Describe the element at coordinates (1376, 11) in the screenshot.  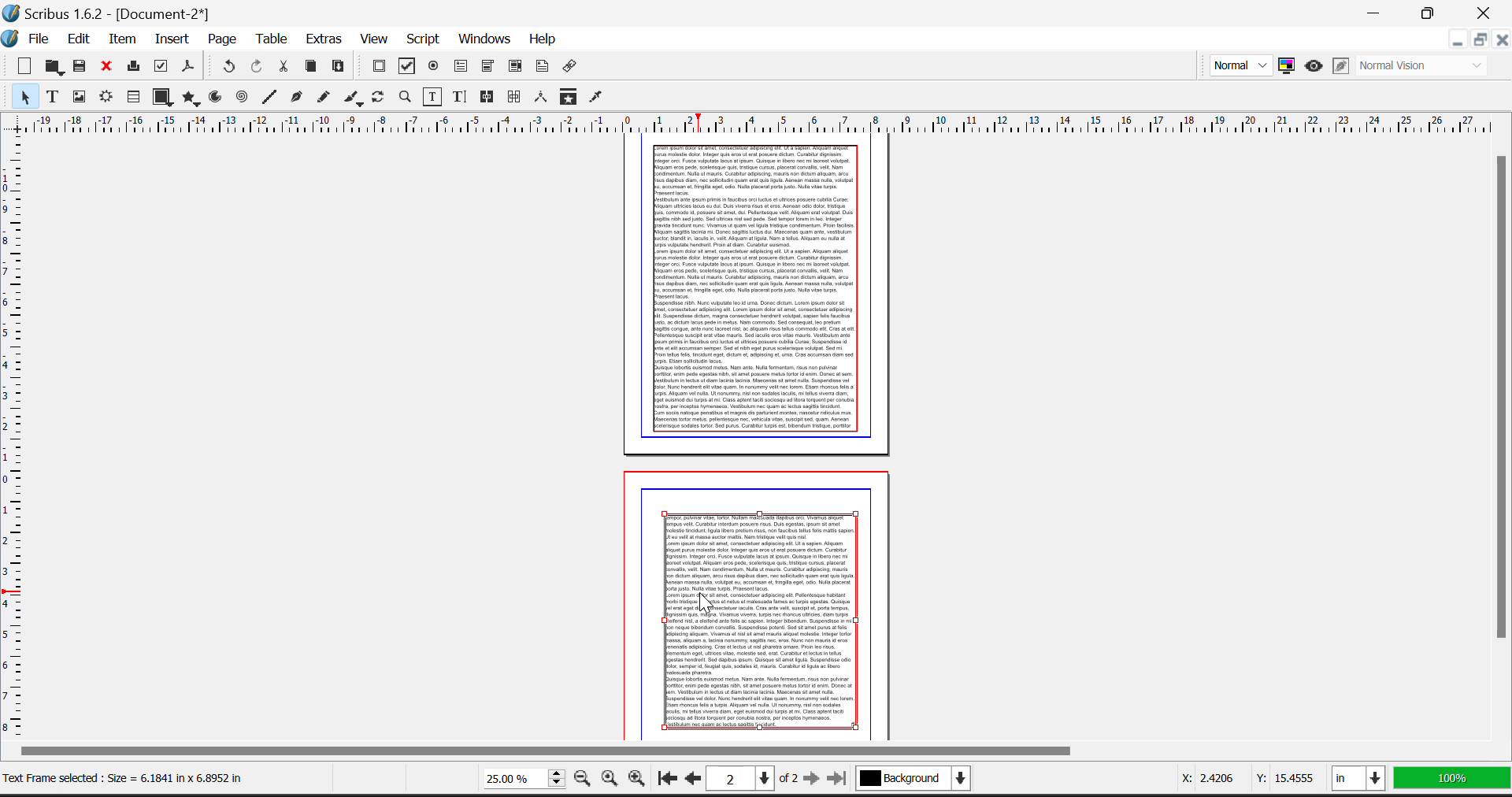
I see `Restore Down` at that location.